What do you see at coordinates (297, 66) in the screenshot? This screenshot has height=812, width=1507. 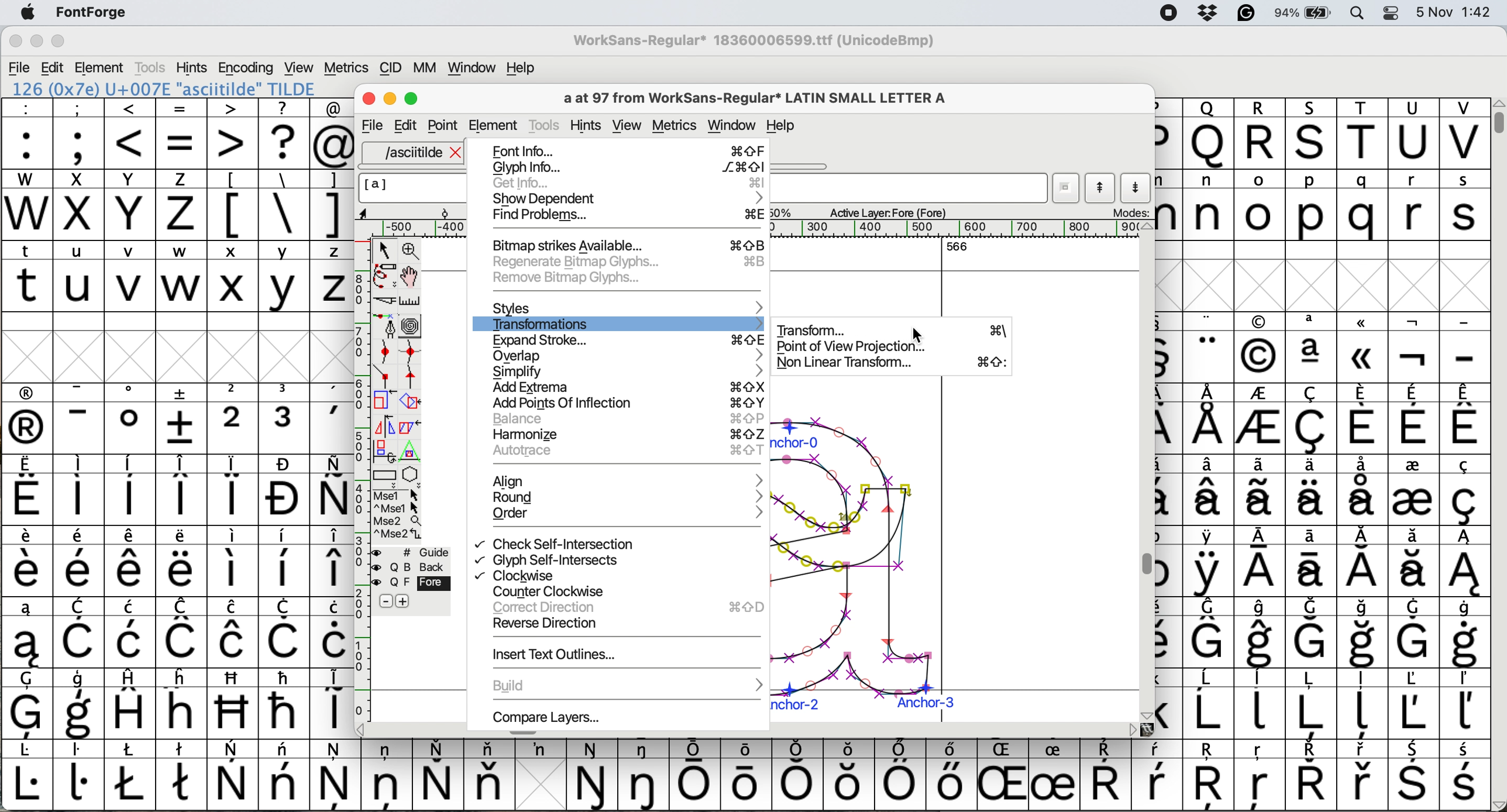 I see `view` at bounding box center [297, 66].